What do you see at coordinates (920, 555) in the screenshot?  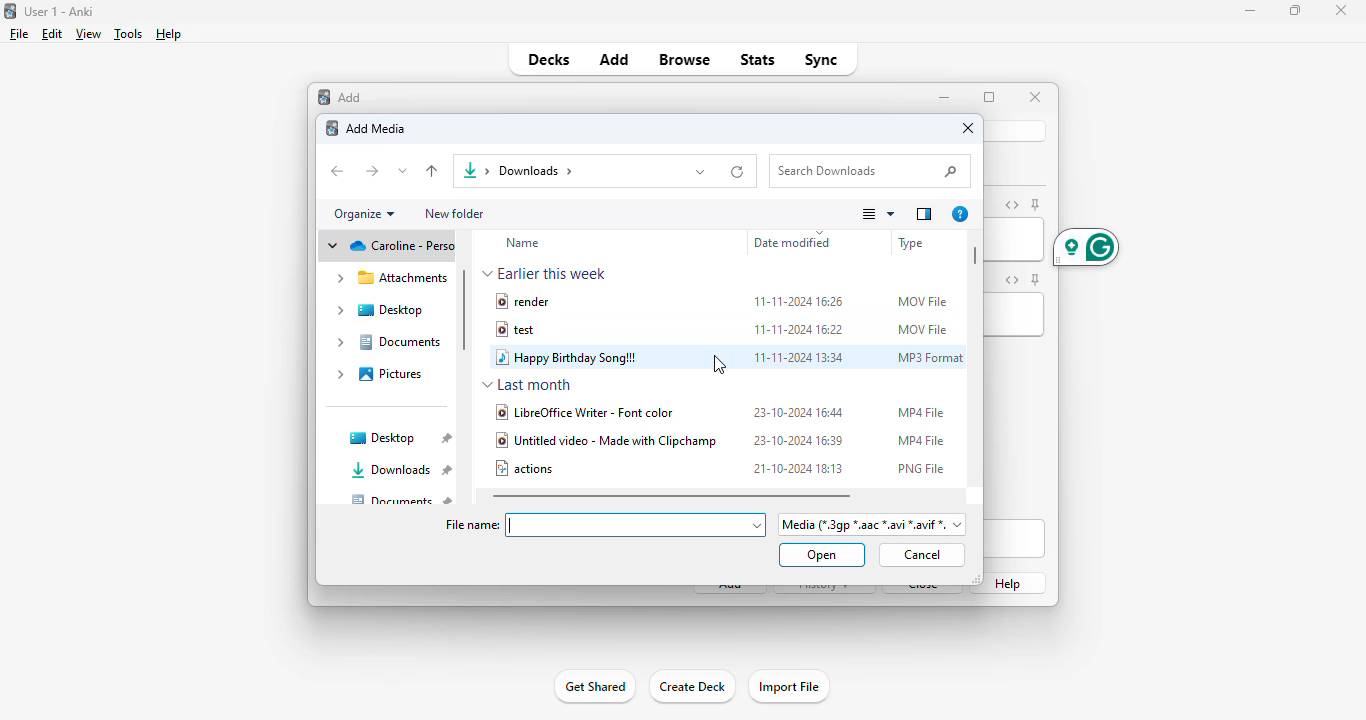 I see `cancel` at bounding box center [920, 555].